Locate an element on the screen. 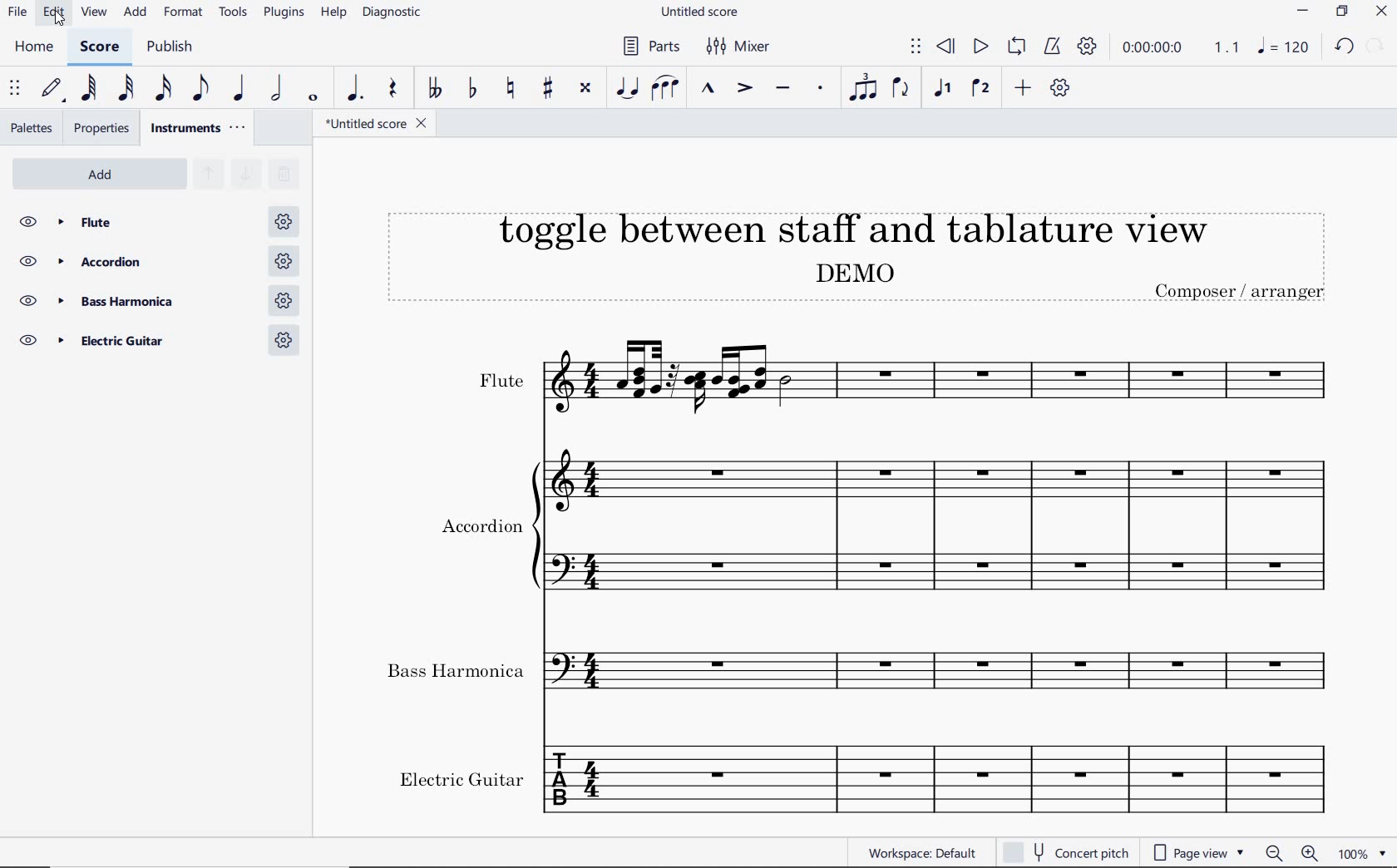 Image resolution: width=1397 pixels, height=868 pixels. parts is located at coordinates (649, 47).